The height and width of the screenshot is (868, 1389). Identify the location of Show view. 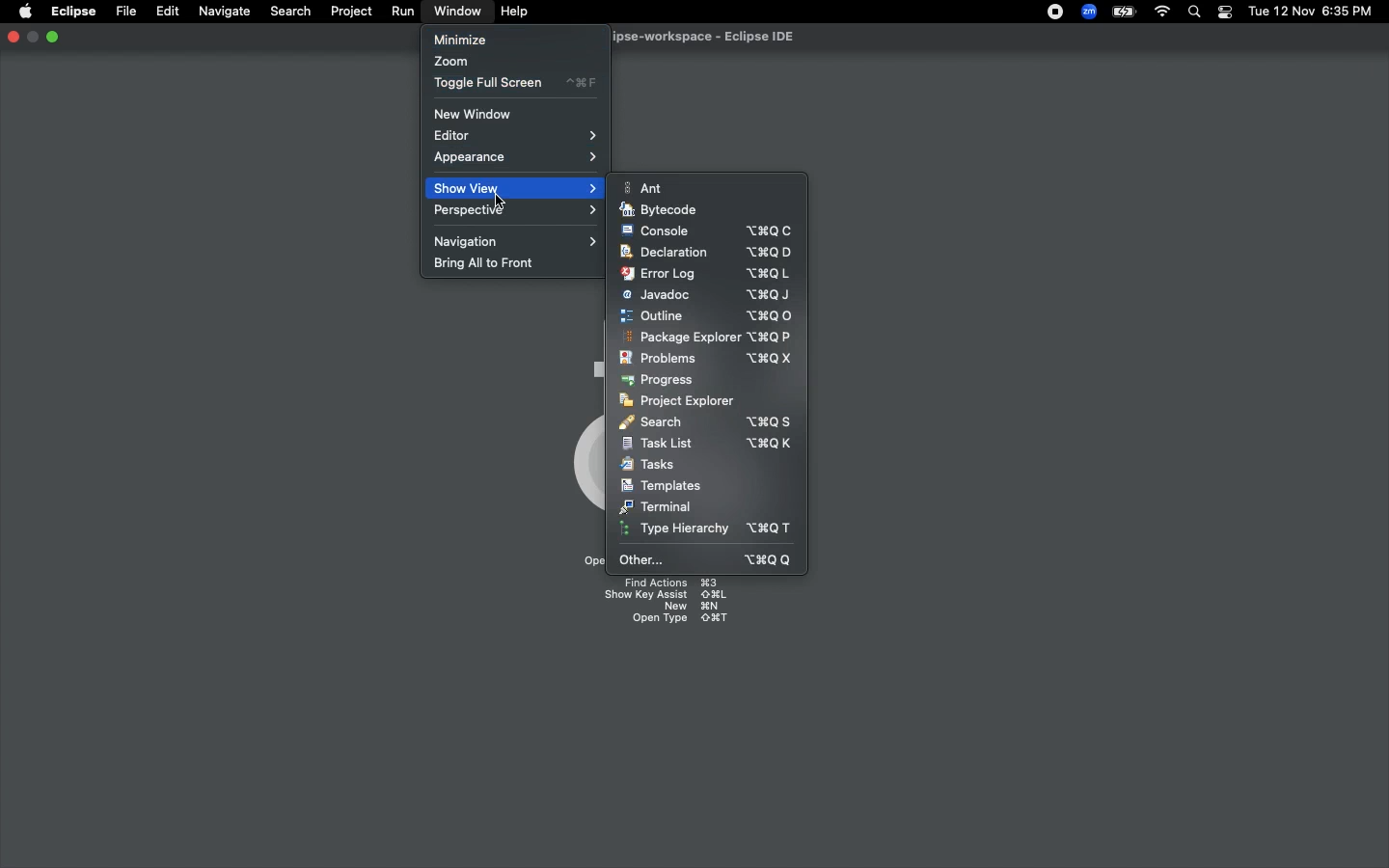
(519, 188).